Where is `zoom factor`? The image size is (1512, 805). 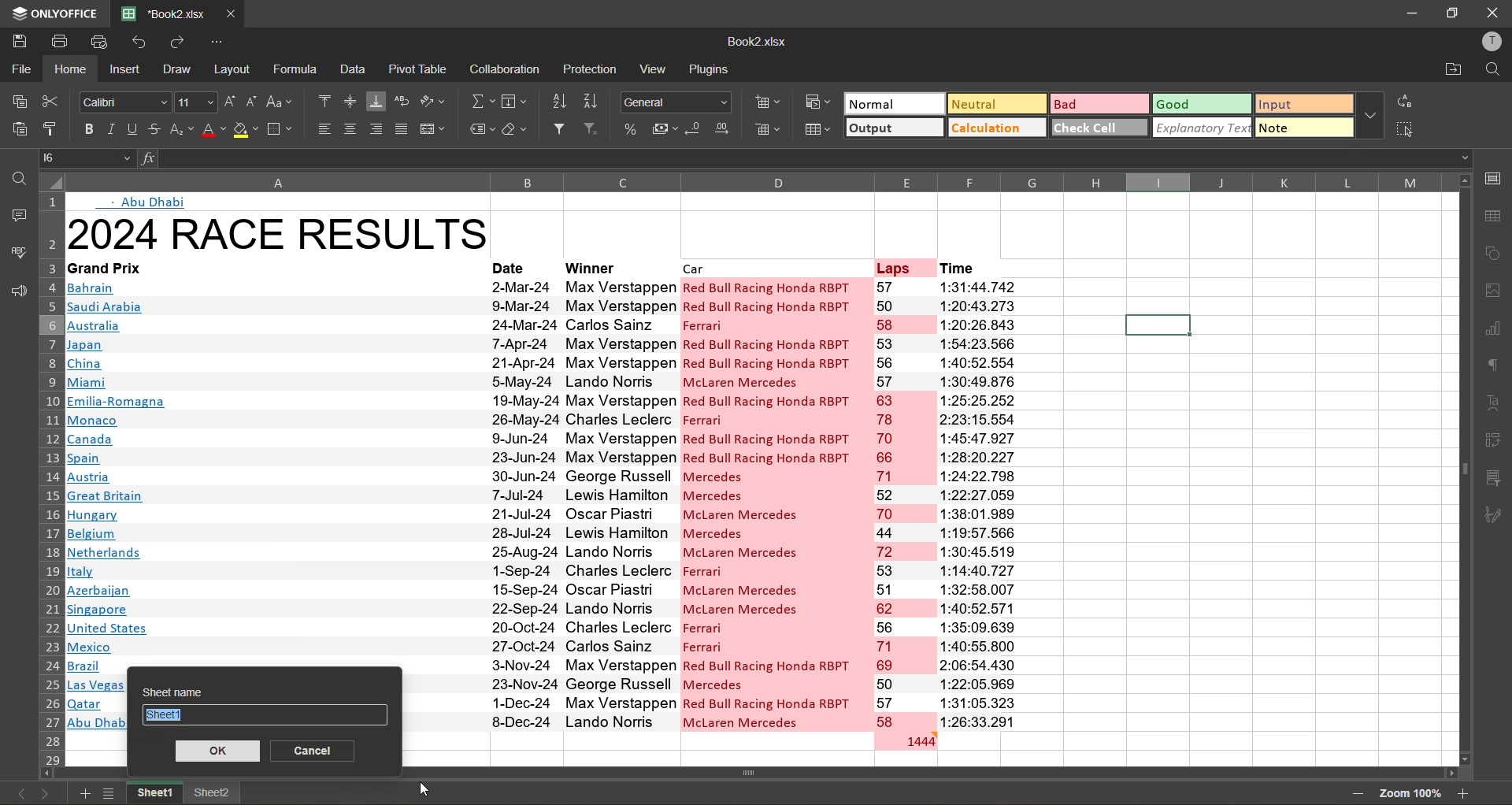
zoom factor is located at coordinates (1409, 793).